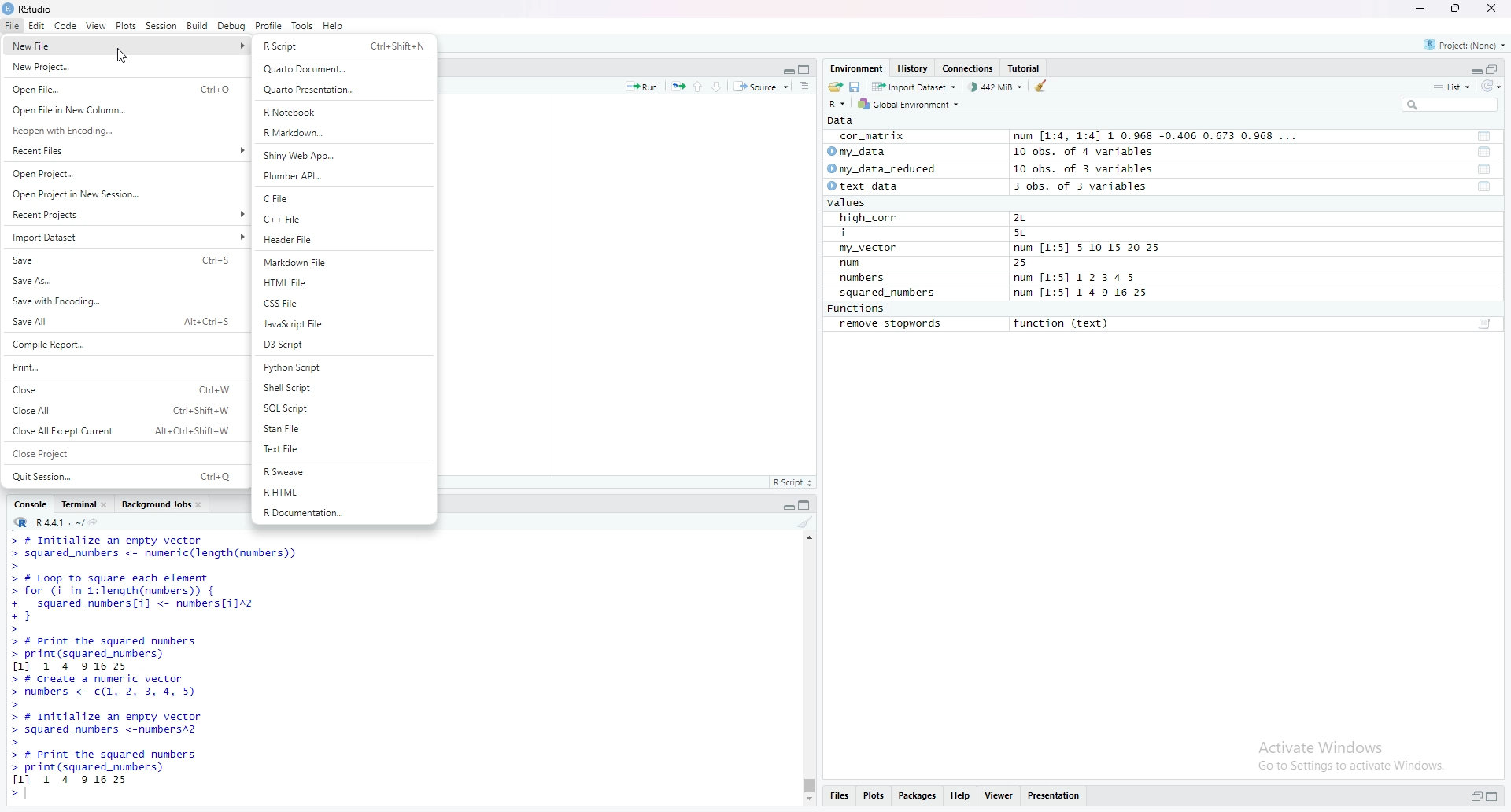 The width and height of the screenshot is (1511, 812). Describe the element at coordinates (345, 221) in the screenshot. I see `C++ File` at that location.